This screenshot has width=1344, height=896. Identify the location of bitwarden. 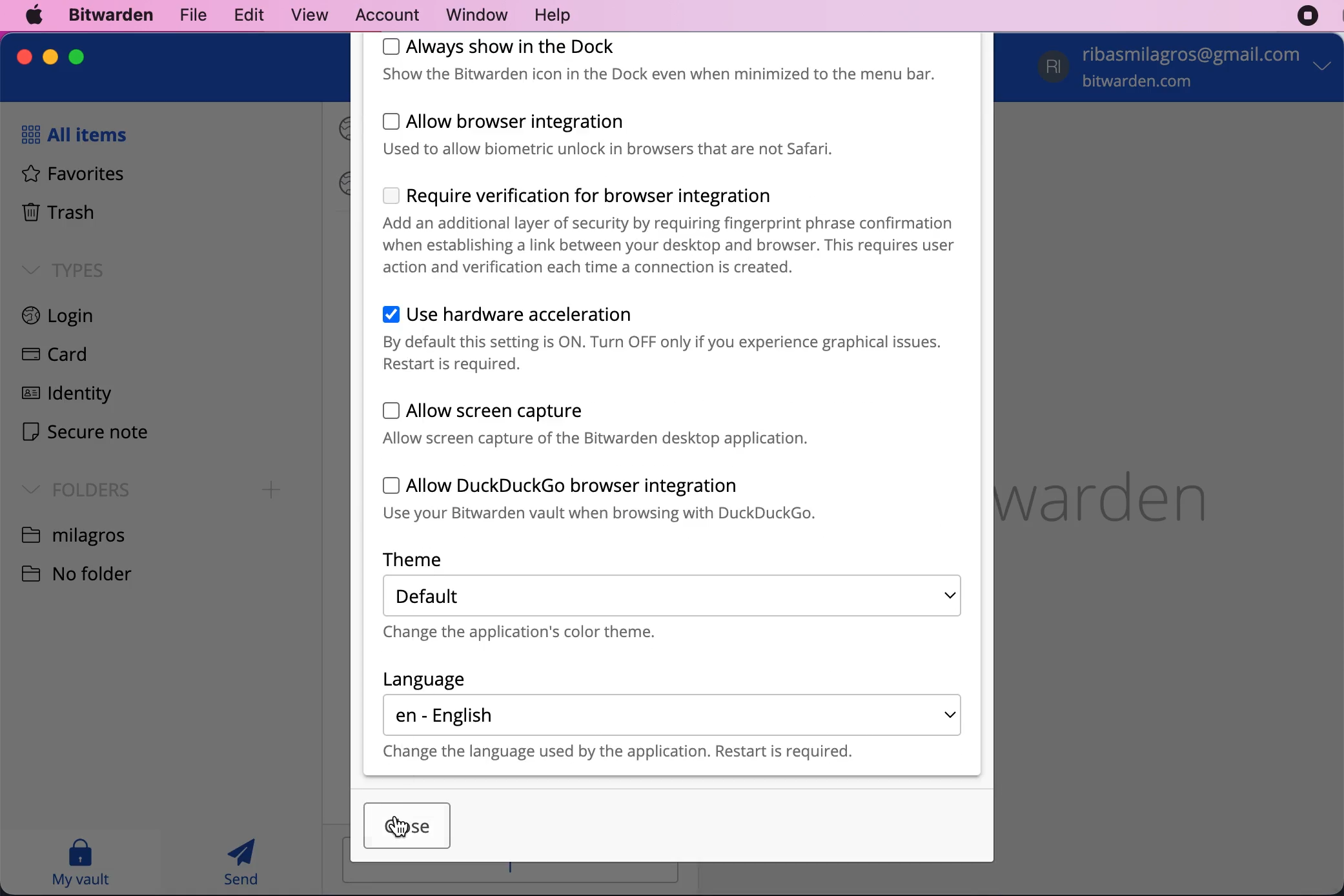
(108, 16).